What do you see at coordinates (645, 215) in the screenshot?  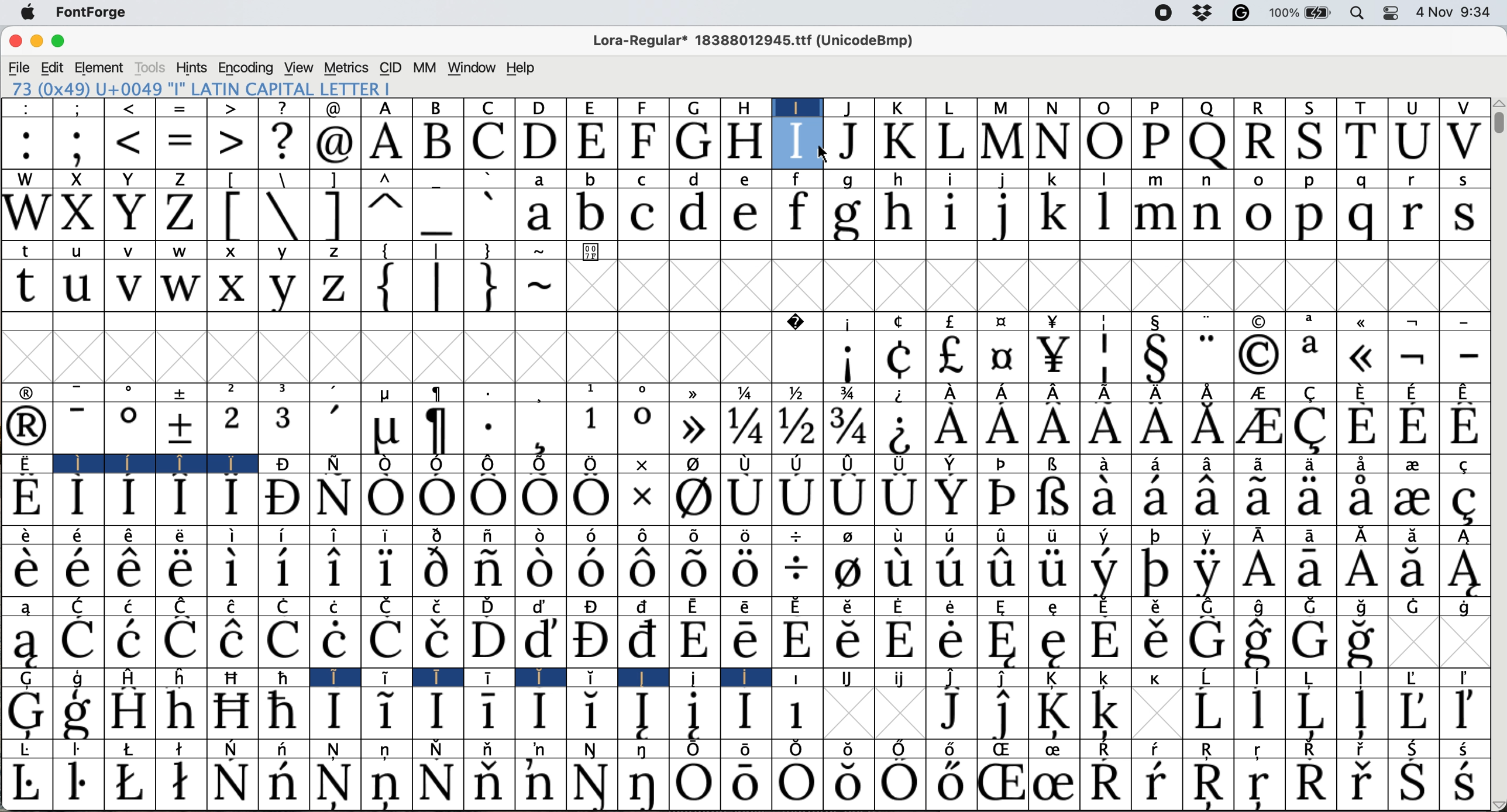 I see `c` at bounding box center [645, 215].